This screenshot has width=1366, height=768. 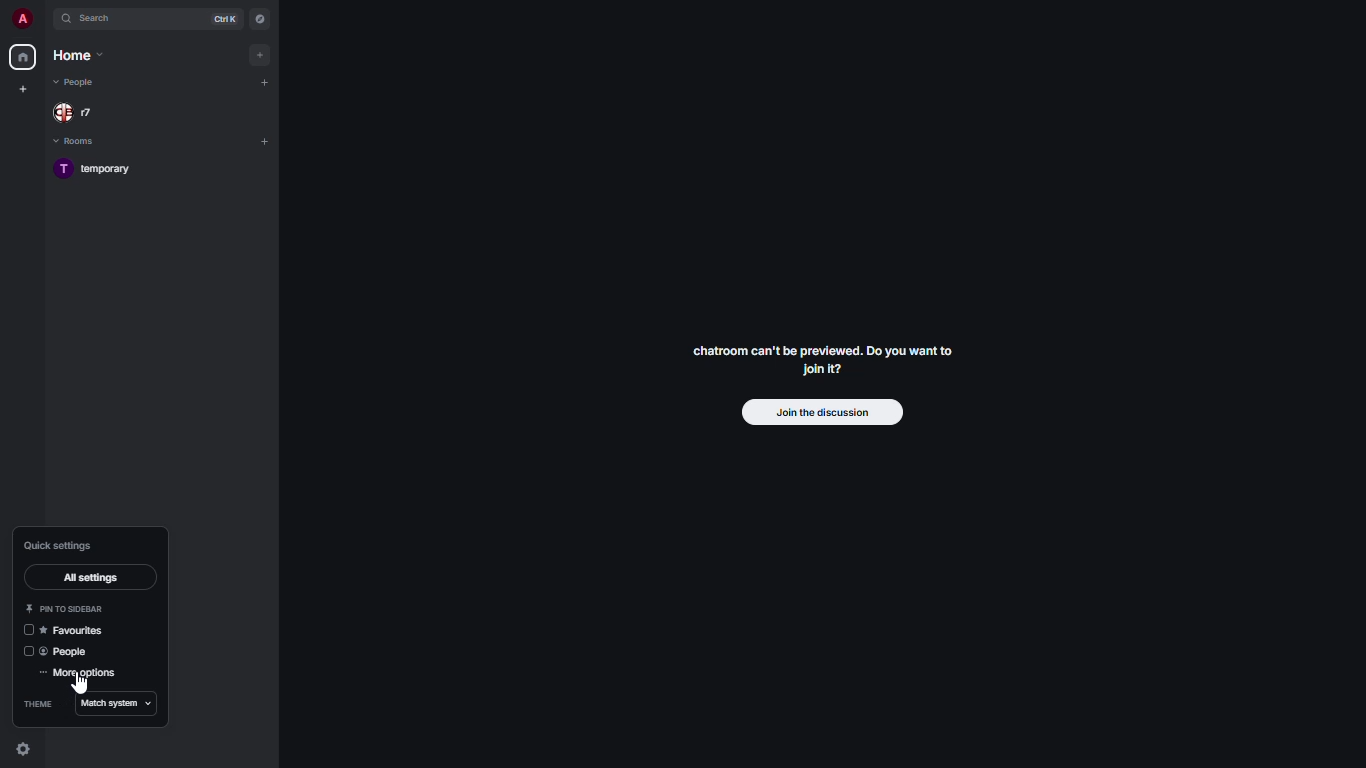 I want to click on room, so click(x=99, y=170).